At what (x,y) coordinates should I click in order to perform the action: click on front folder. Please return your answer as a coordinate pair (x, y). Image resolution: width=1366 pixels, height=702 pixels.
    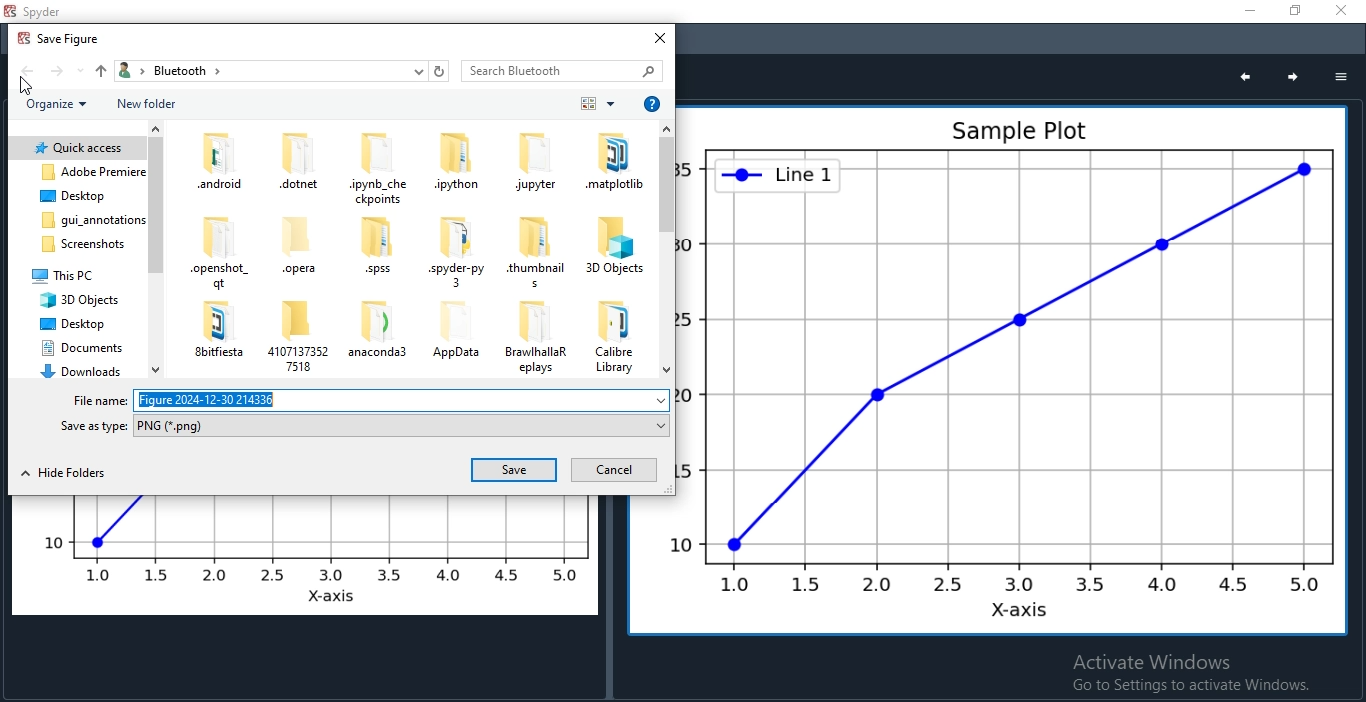
    Looking at the image, I should click on (66, 72).